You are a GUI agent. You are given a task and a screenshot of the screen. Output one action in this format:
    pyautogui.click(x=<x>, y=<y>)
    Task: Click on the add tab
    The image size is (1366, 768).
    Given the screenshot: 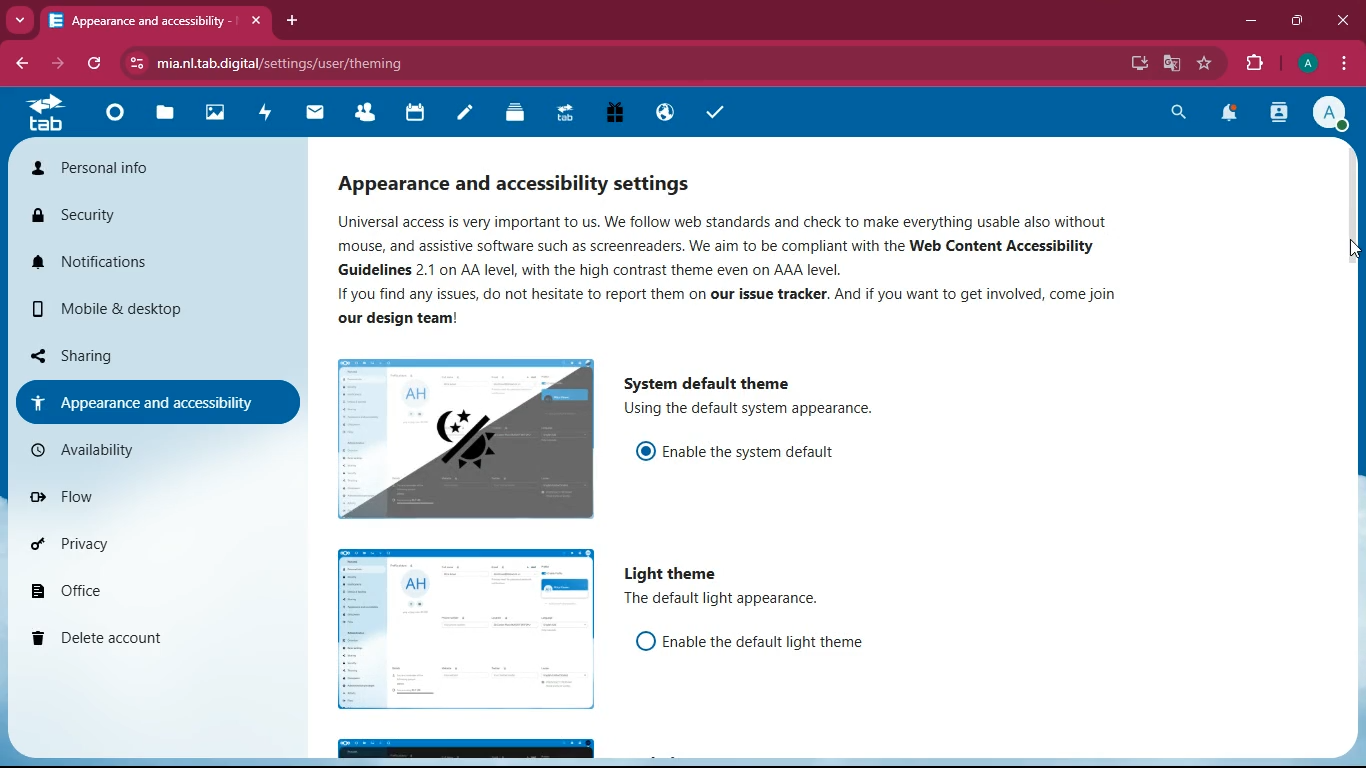 What is the action you would take?
    pyautogui.click(x=292, y=21)
    